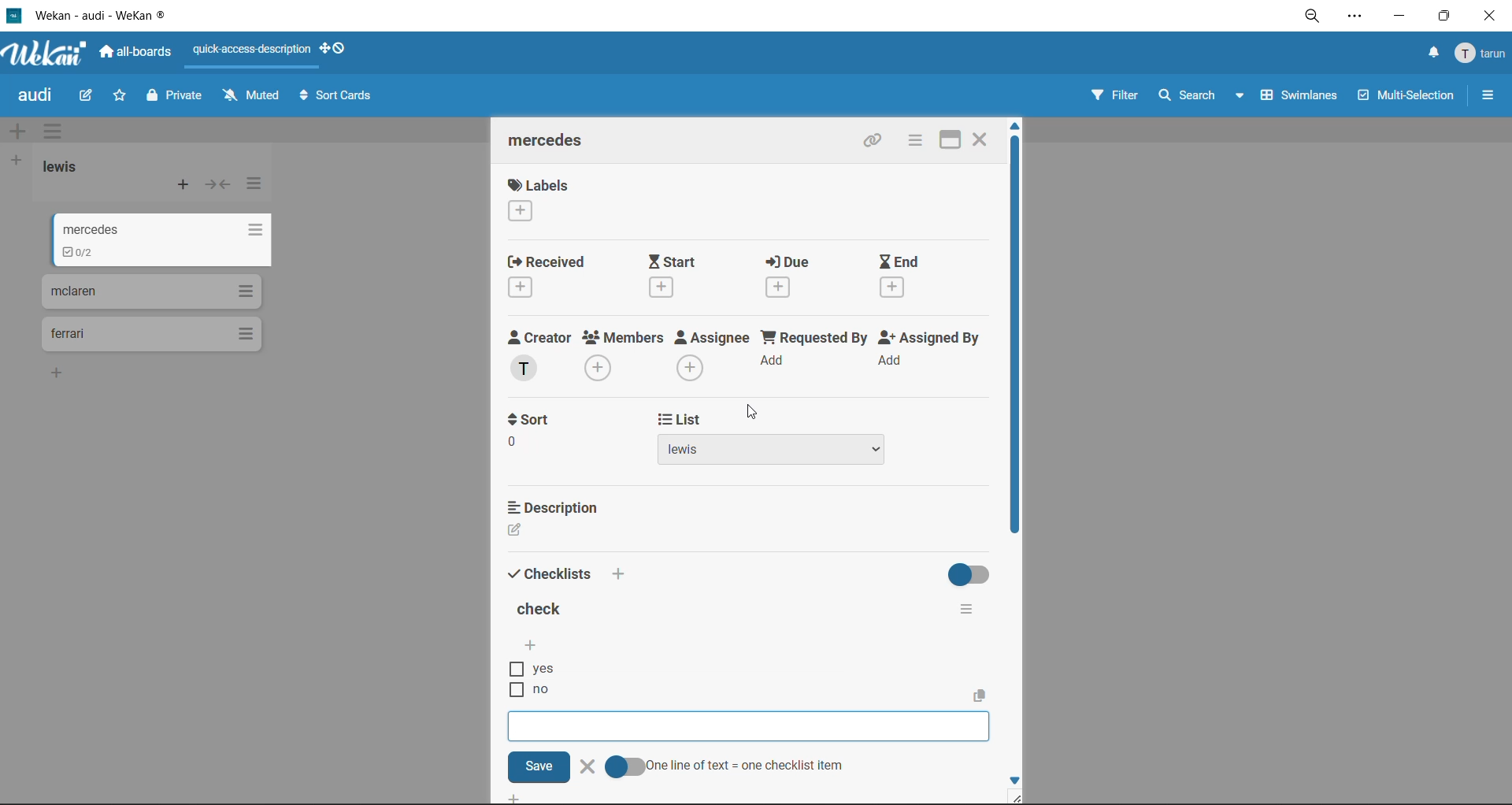 This screenshot has height=805, width=1512. Describe the element at coordinates (1440, 20) in the screenshot. I see `maximize` at that location.